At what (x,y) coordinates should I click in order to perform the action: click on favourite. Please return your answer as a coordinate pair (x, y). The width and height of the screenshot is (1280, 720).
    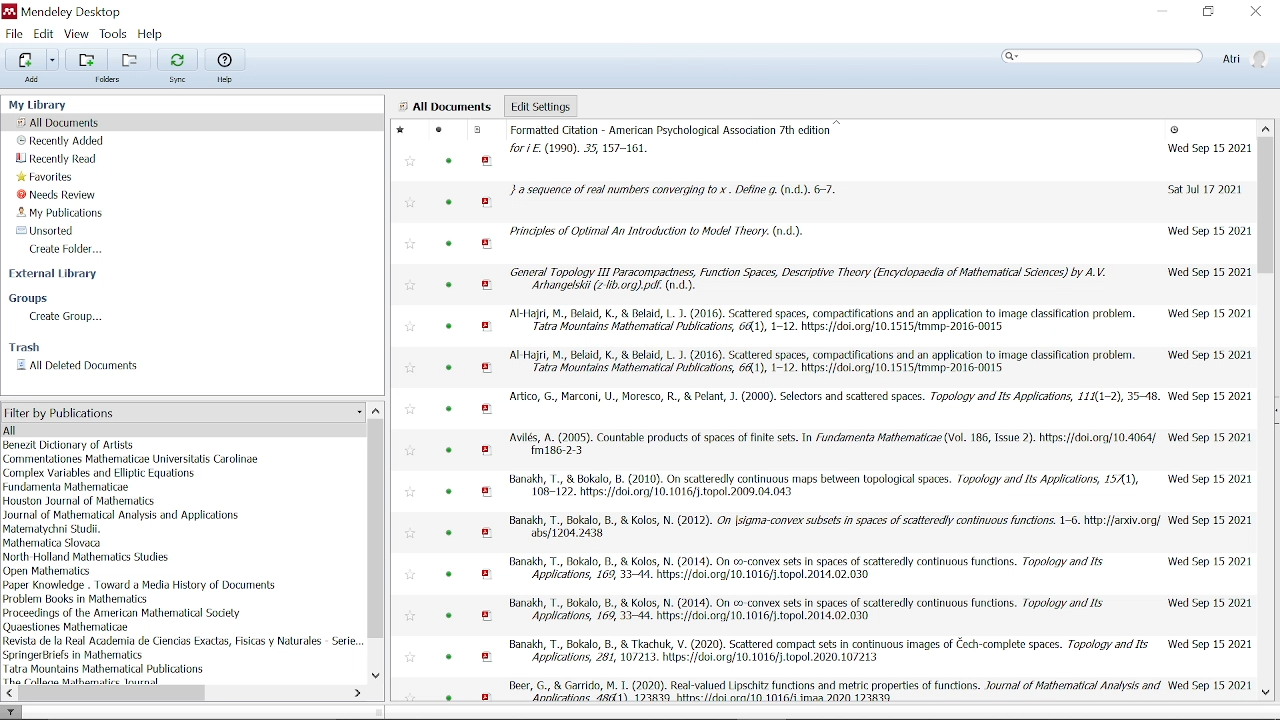
    Looking at the image, I should click on (410, 531).